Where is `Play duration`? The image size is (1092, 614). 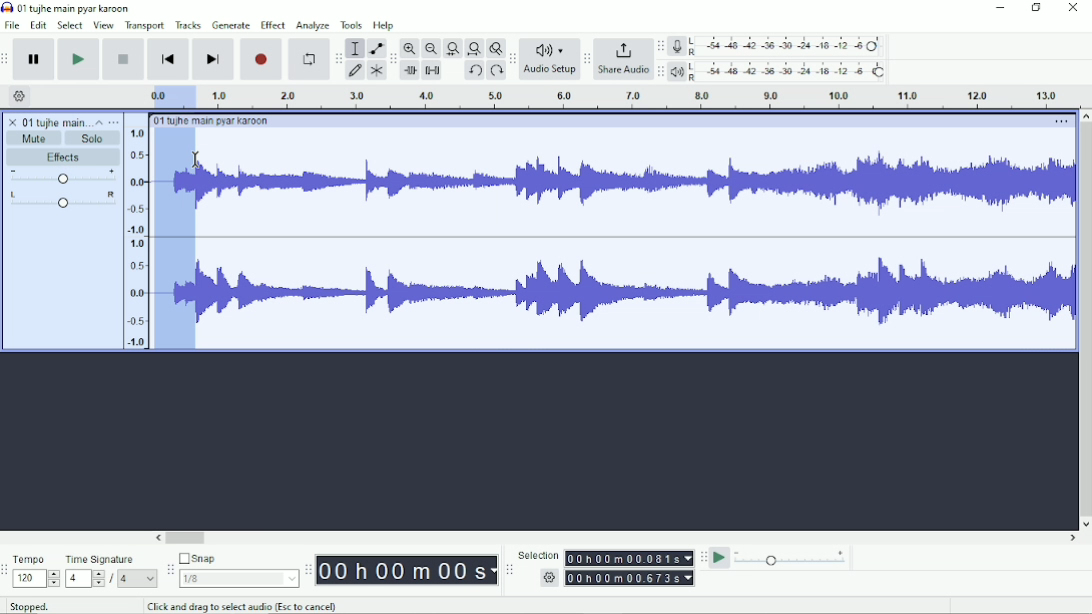
Play duration is located at coordinates (635, 97).